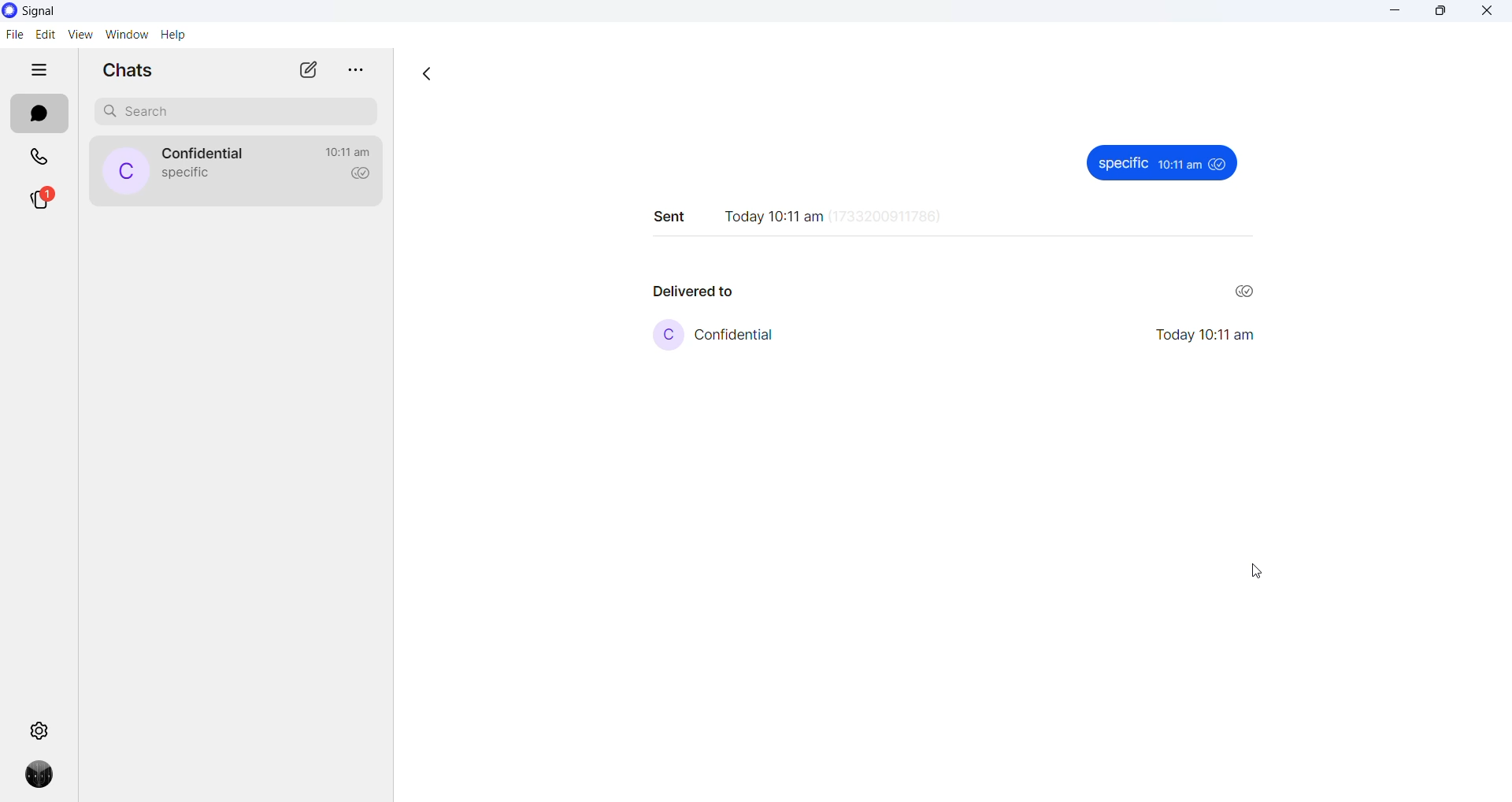 This screenshot has width=1512, height=802. What do you see at coordinates (37, 157) in the screenshot?
I see `calls` at bounding box center [37, 157].